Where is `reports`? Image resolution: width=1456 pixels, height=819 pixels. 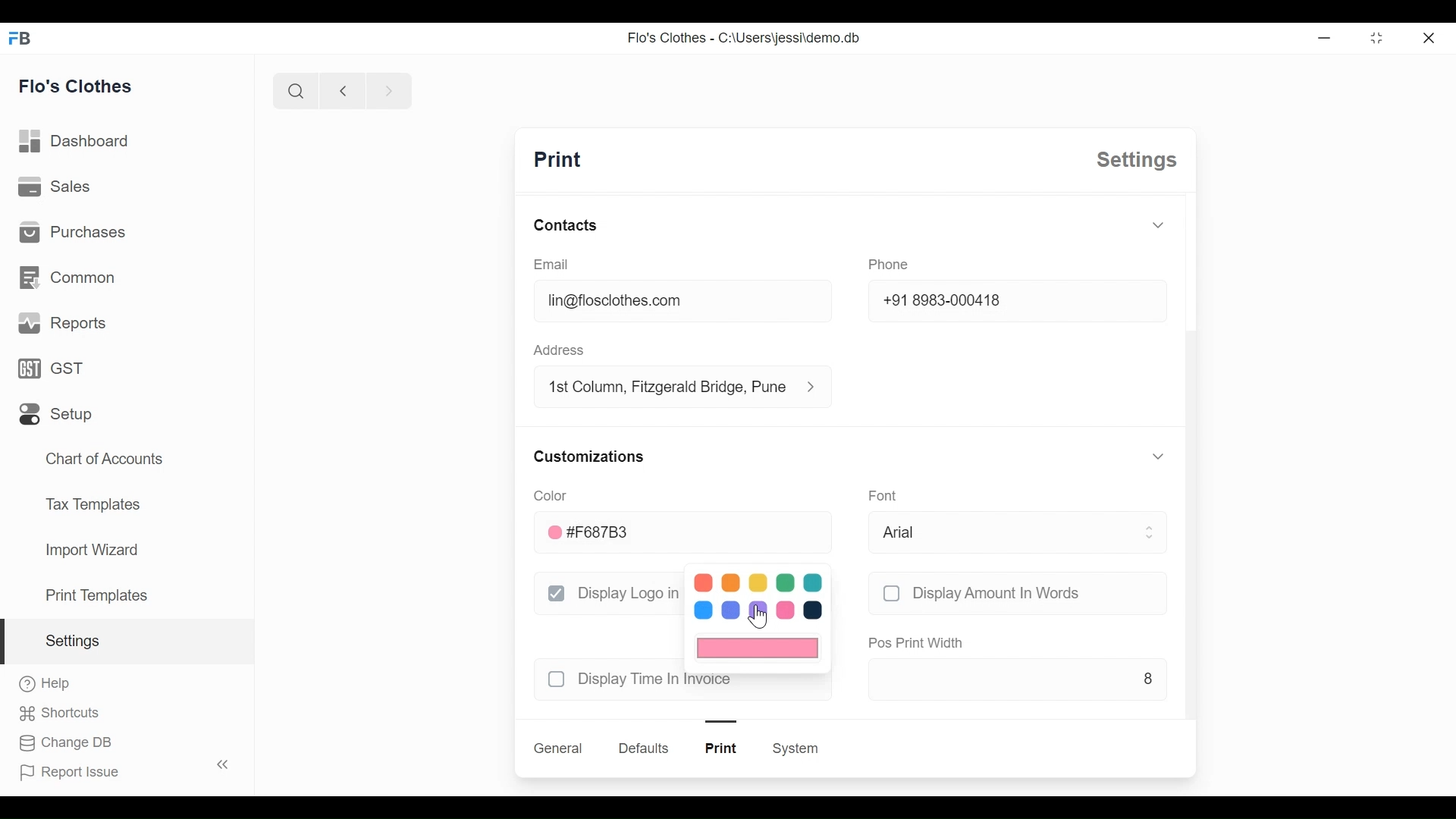
reports is located at coordinates (64, 323).